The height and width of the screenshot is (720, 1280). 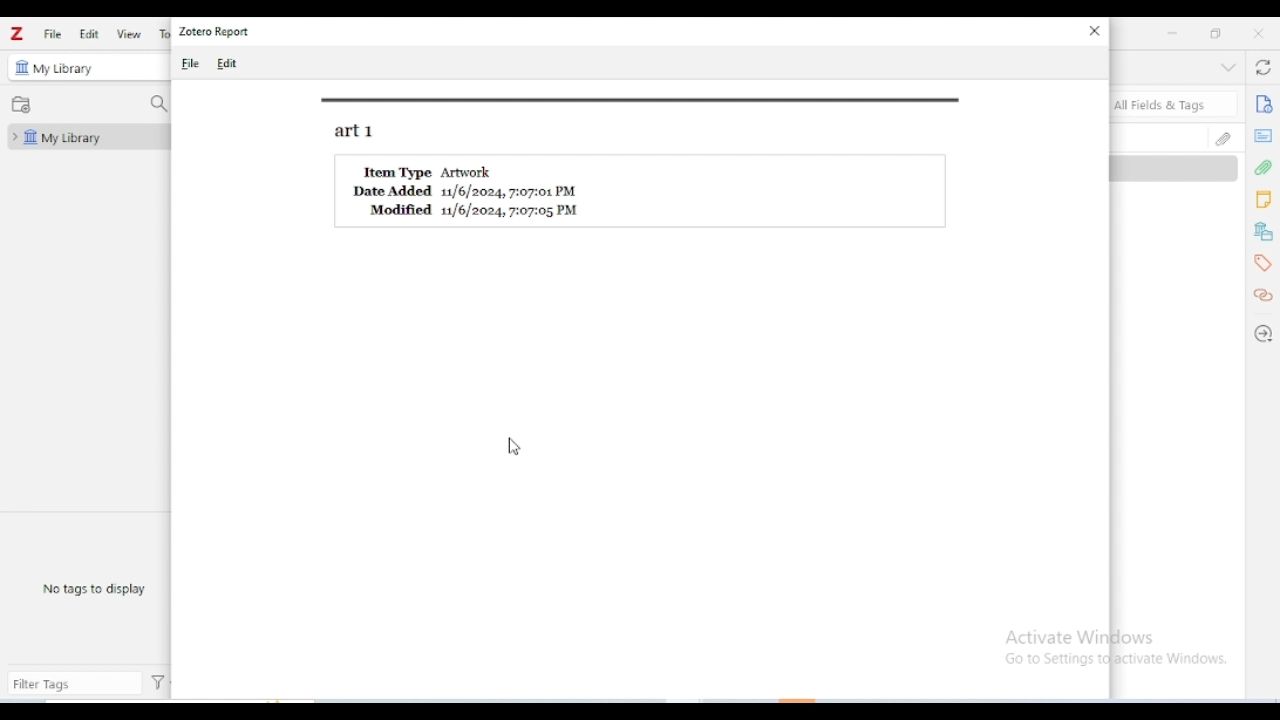 I want to click on attachments, so click(x=1264, y=169).